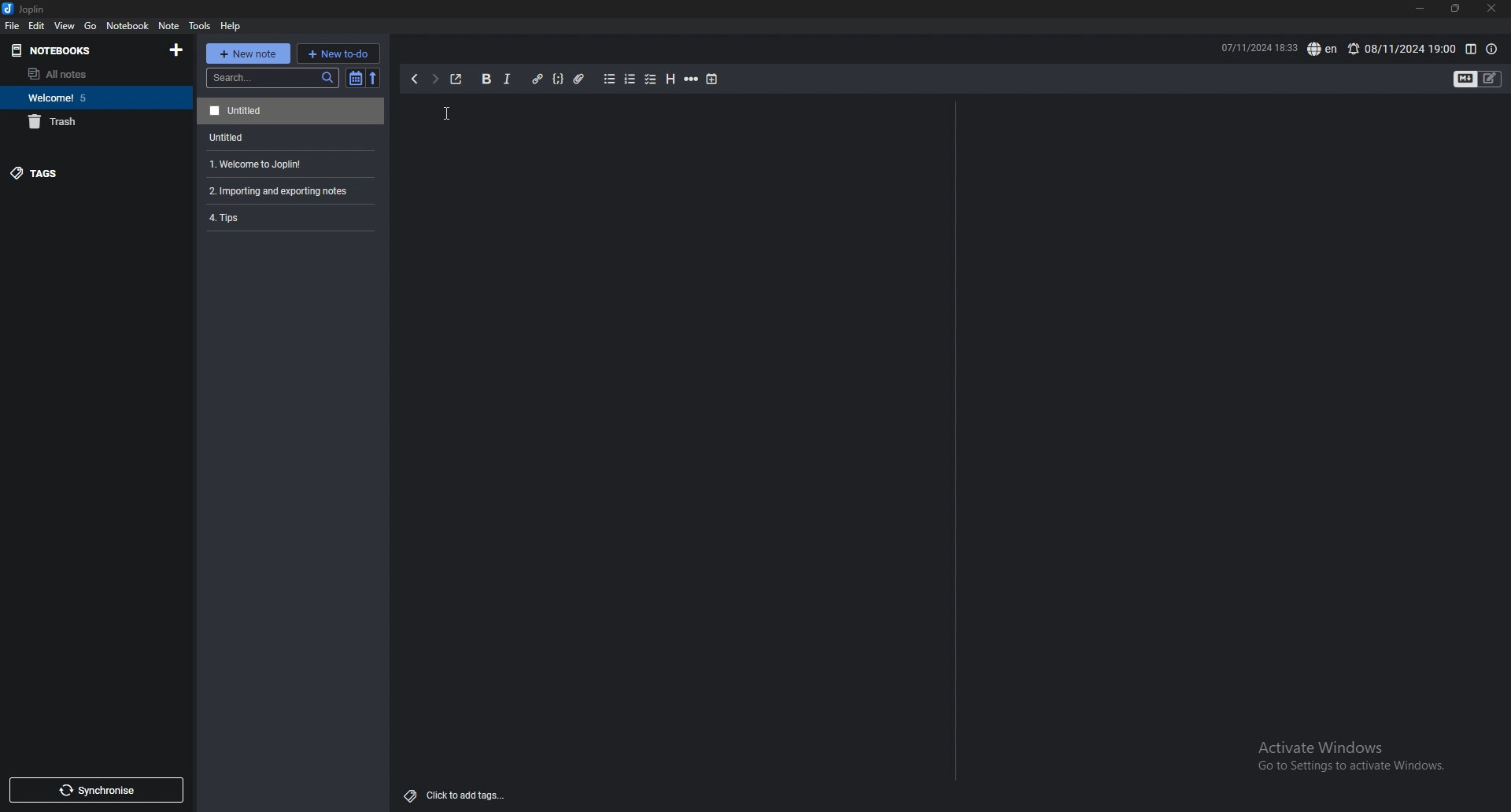 The height and width of the screenshot is (812, 1511). What do you see at coordinates (582, 79) in the screenshot?
I see `attachment` at bounding box center [582, 79].